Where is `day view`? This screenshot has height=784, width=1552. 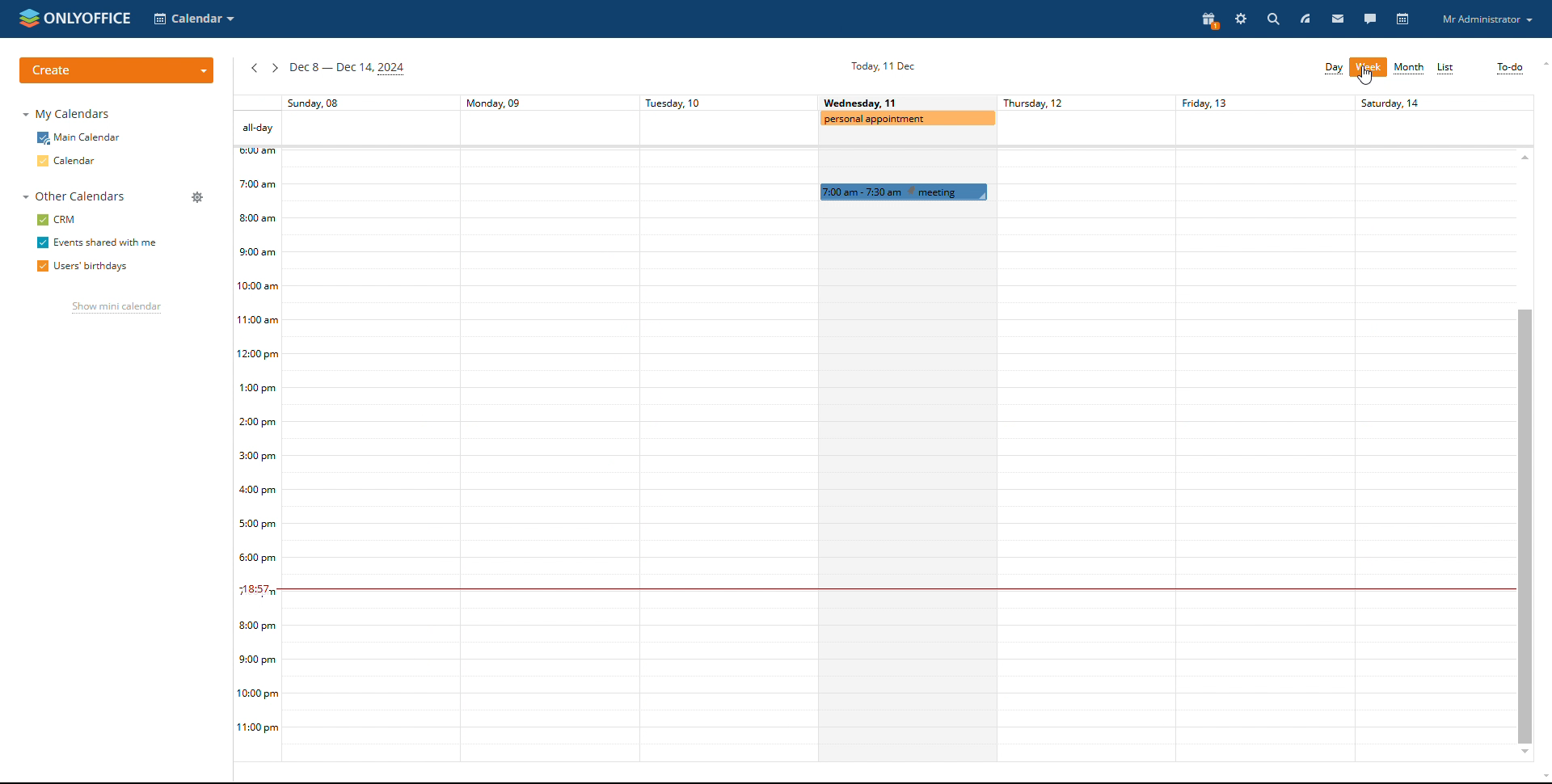 day view is located at coordinates (1335, 70).